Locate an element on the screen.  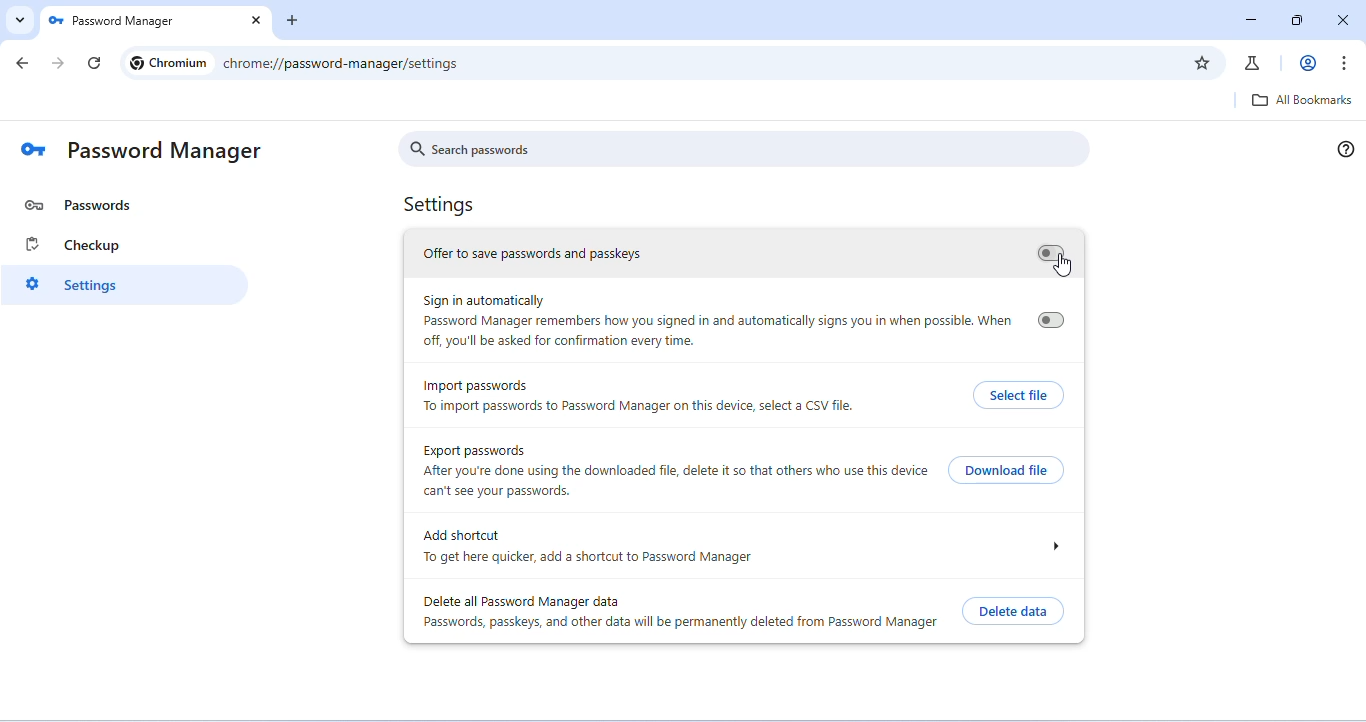
select file is located at coordinates (1020, 395).